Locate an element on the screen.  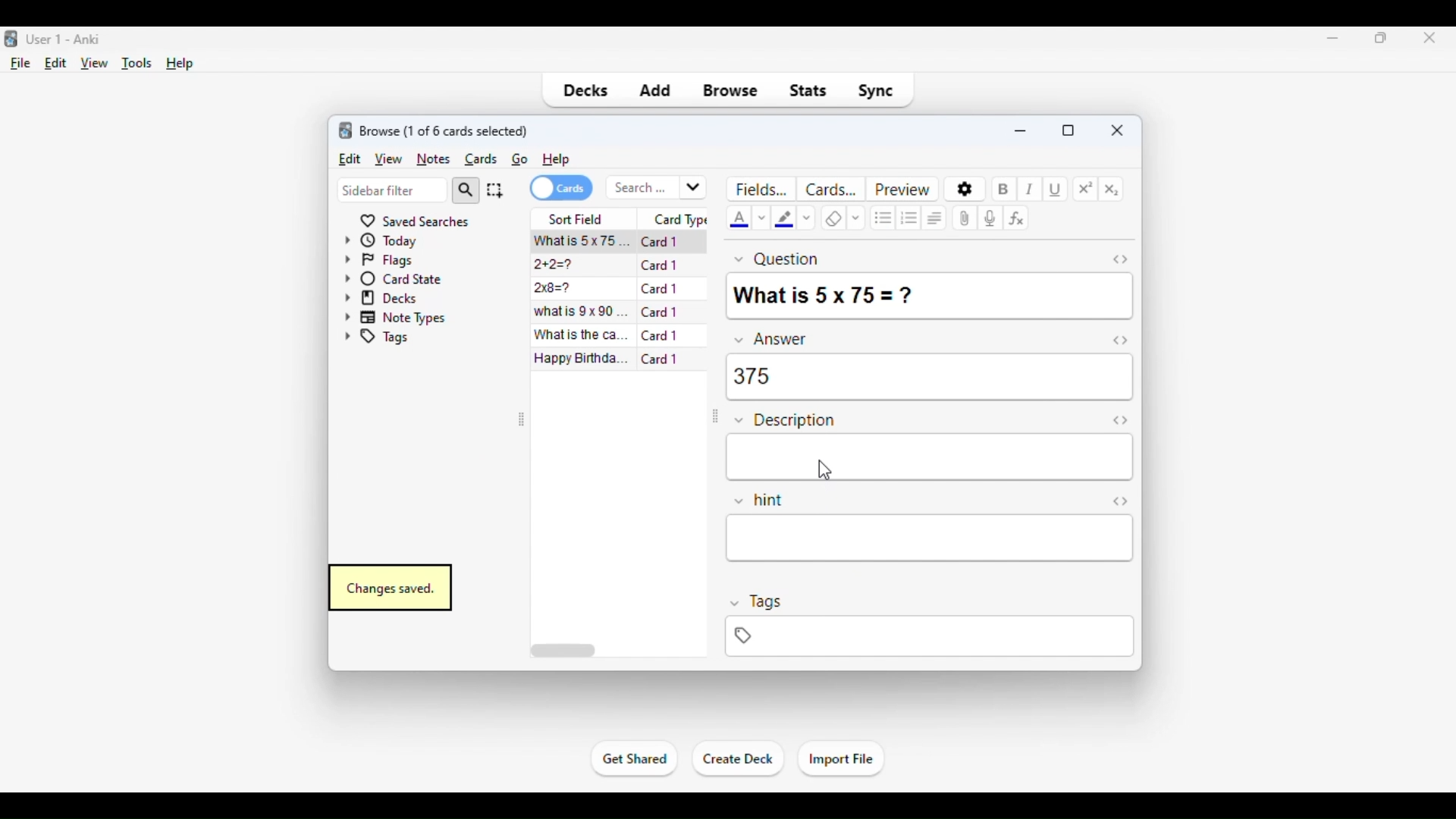
subscript is located at coordinates (1112, 190).